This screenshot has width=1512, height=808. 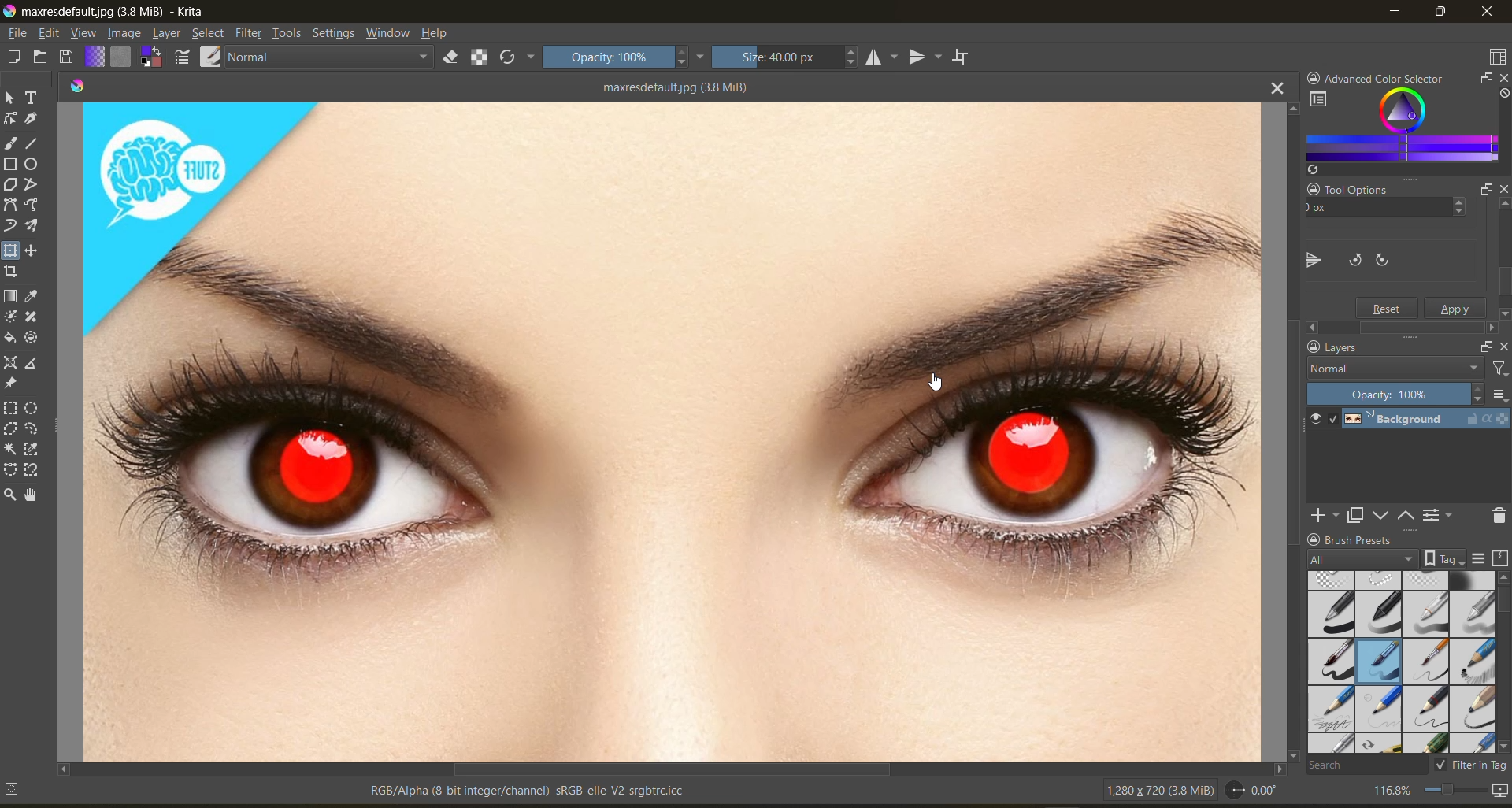 I want to click on tag, so click(x=1361, y=558).